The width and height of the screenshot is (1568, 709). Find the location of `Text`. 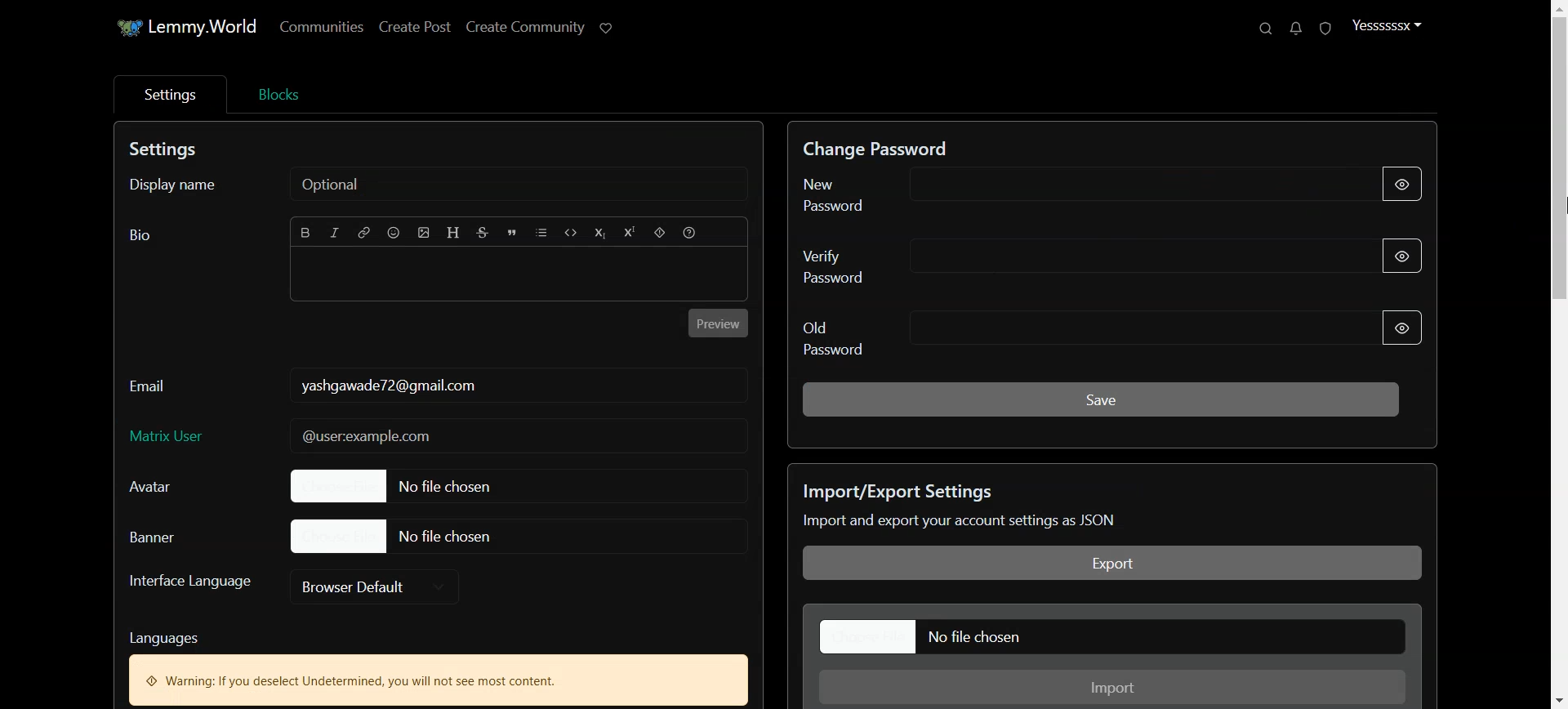

Text is located at coordinates (964, 507).